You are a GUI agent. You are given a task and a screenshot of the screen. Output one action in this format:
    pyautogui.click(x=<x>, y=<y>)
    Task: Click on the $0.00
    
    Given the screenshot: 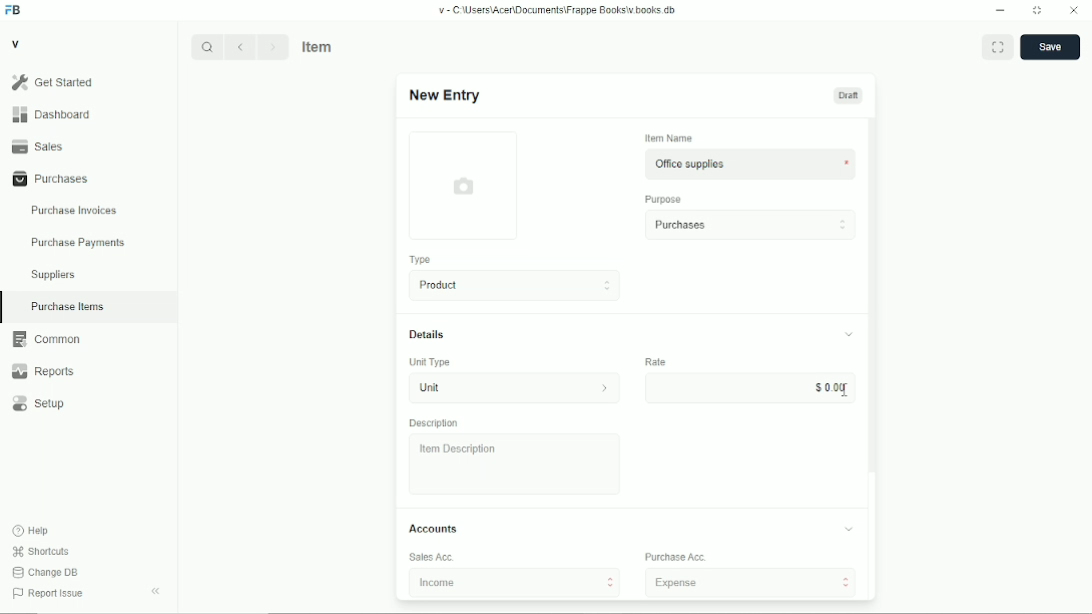 What is the action you would take?
    pyautogui.click(x=750, y=387)
    